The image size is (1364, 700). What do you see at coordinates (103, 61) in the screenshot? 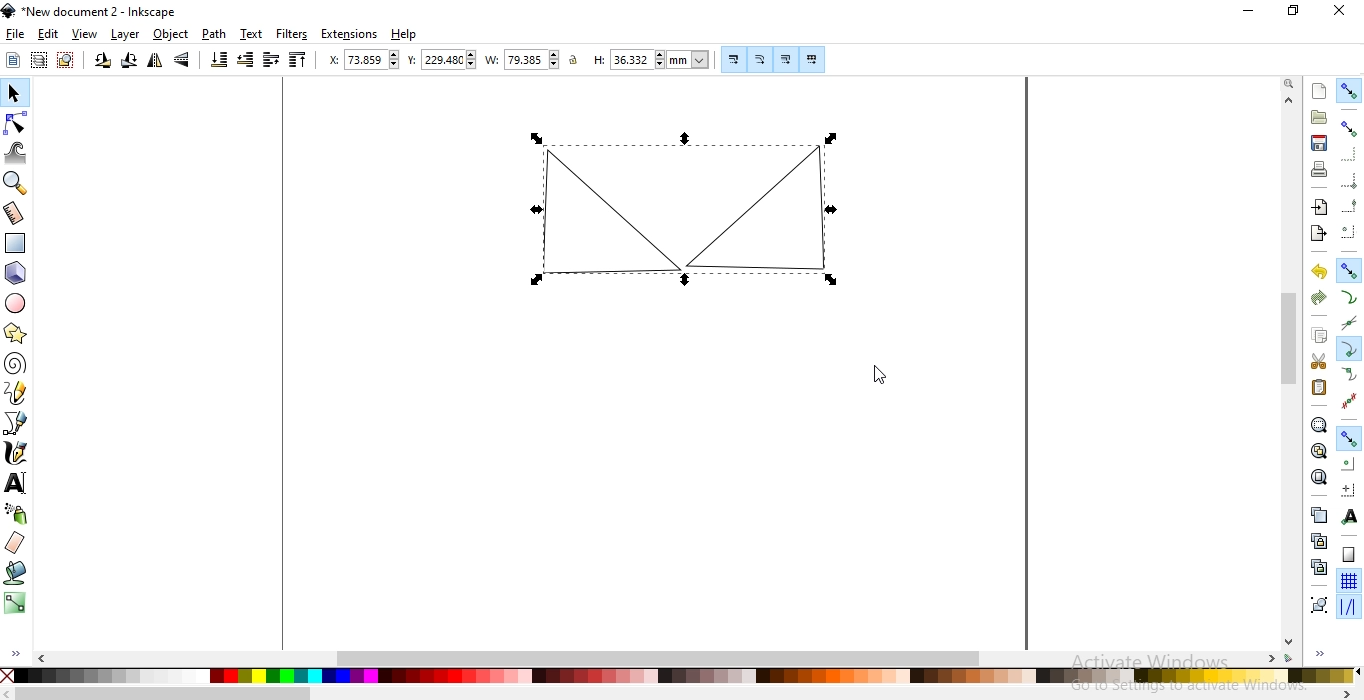
I see `rotate 90 counter clockwise` at bounding box center [103, 61].